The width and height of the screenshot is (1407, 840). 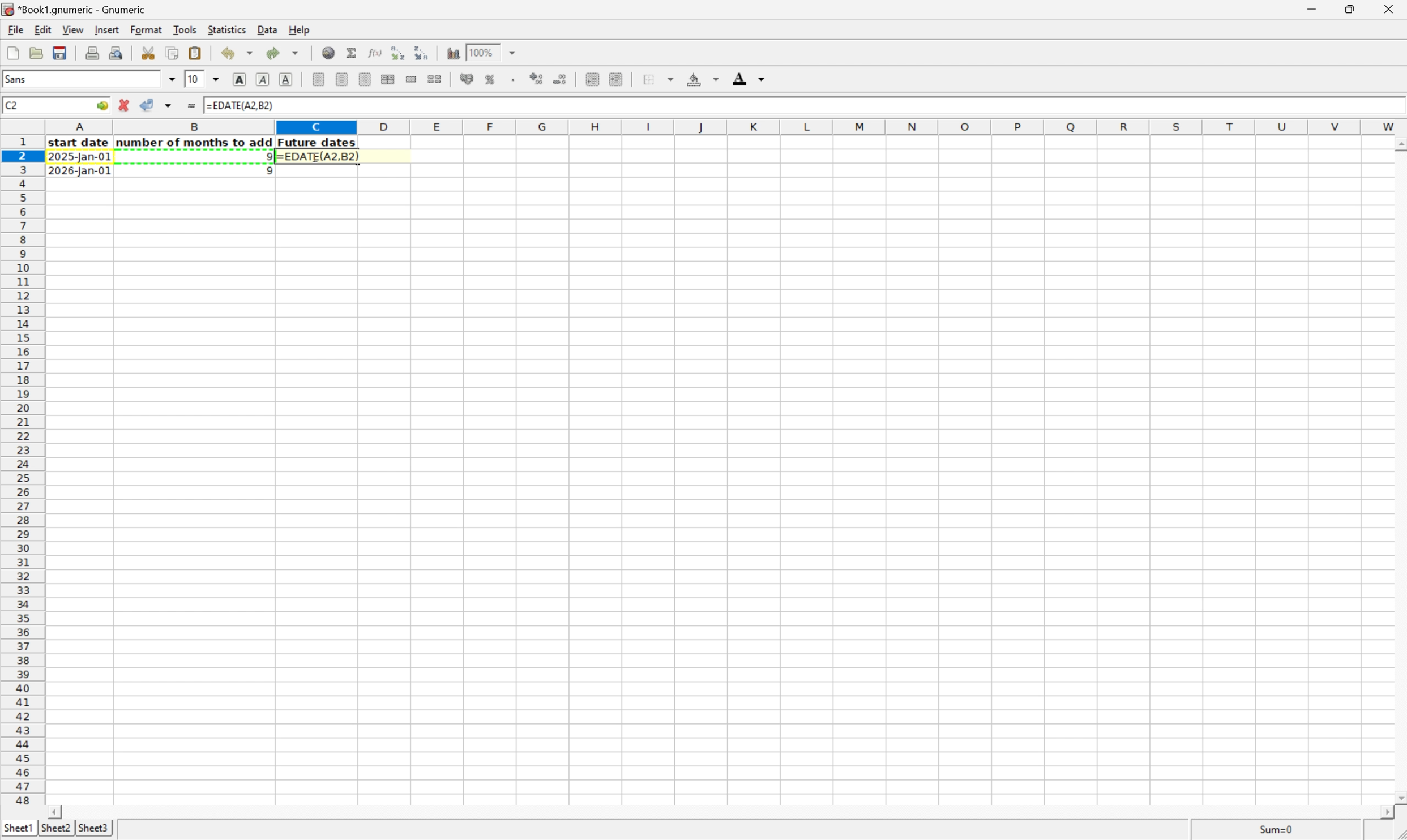 I want to click on Background, so click(x=703, y=79).